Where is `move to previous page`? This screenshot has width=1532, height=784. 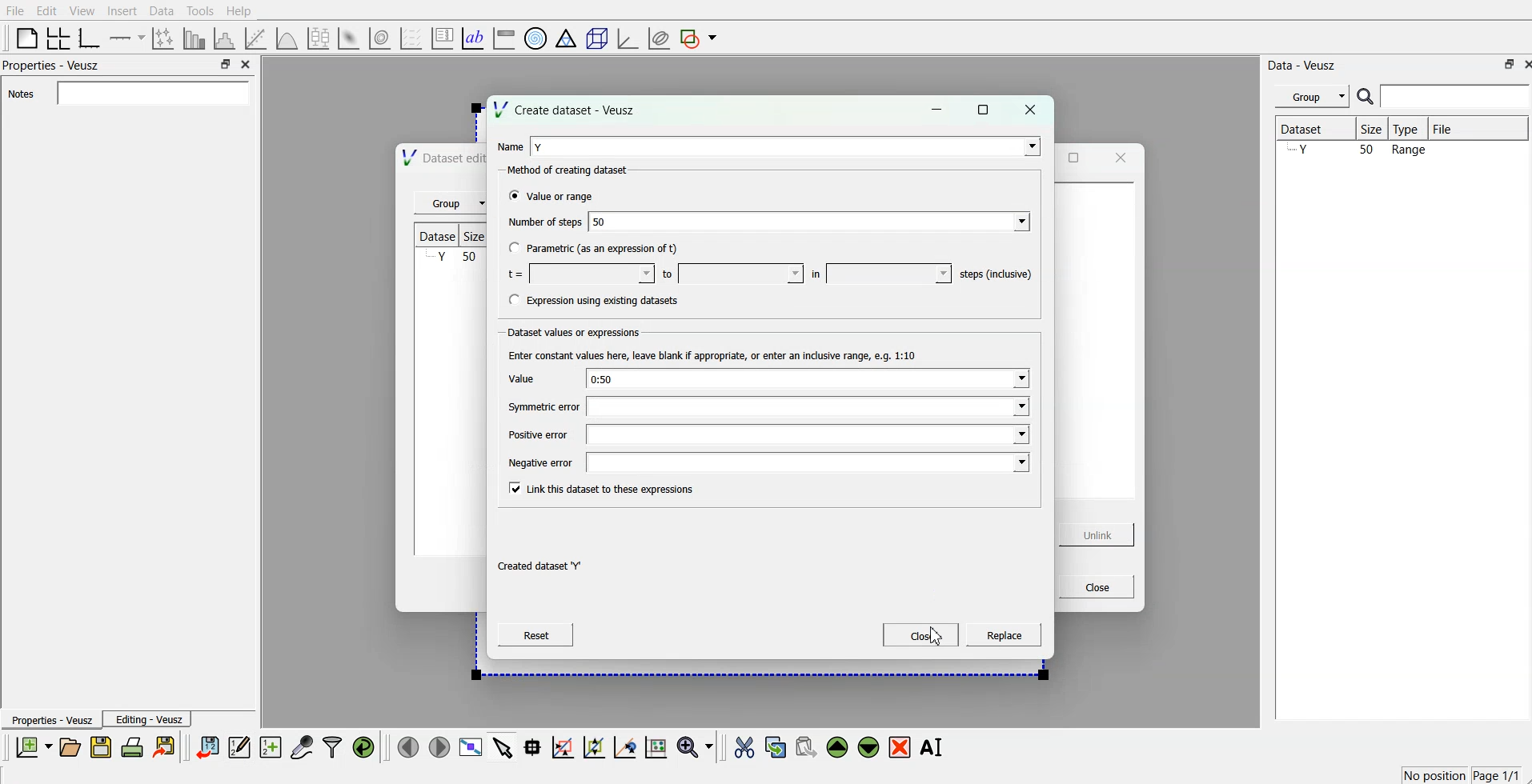
move to previous page is located at coordinates (409, 746).